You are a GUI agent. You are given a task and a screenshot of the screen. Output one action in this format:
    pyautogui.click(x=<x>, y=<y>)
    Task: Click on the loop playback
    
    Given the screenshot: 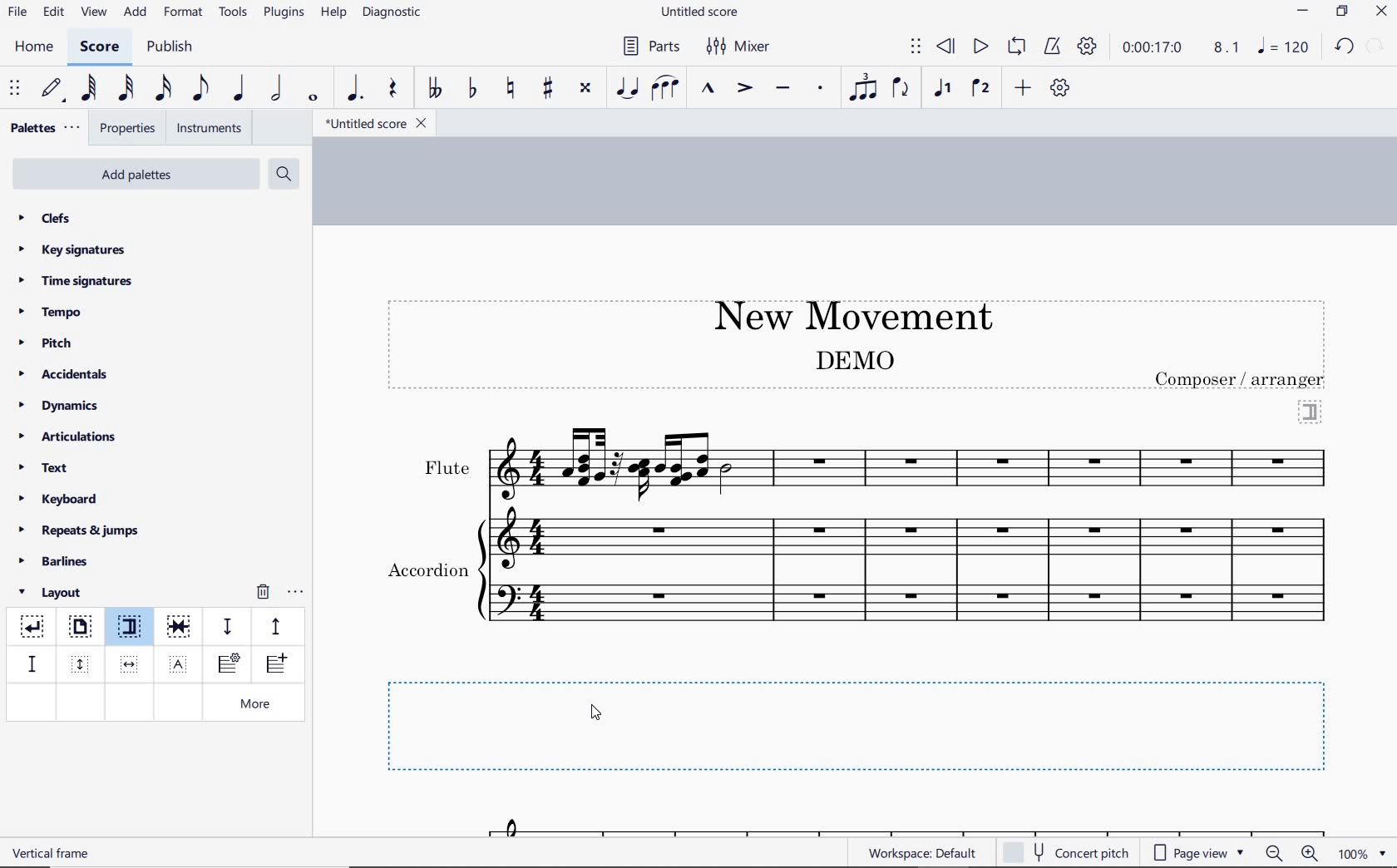 What is the action you would take?
    pyautogui.click(x=1019, y=47)
    